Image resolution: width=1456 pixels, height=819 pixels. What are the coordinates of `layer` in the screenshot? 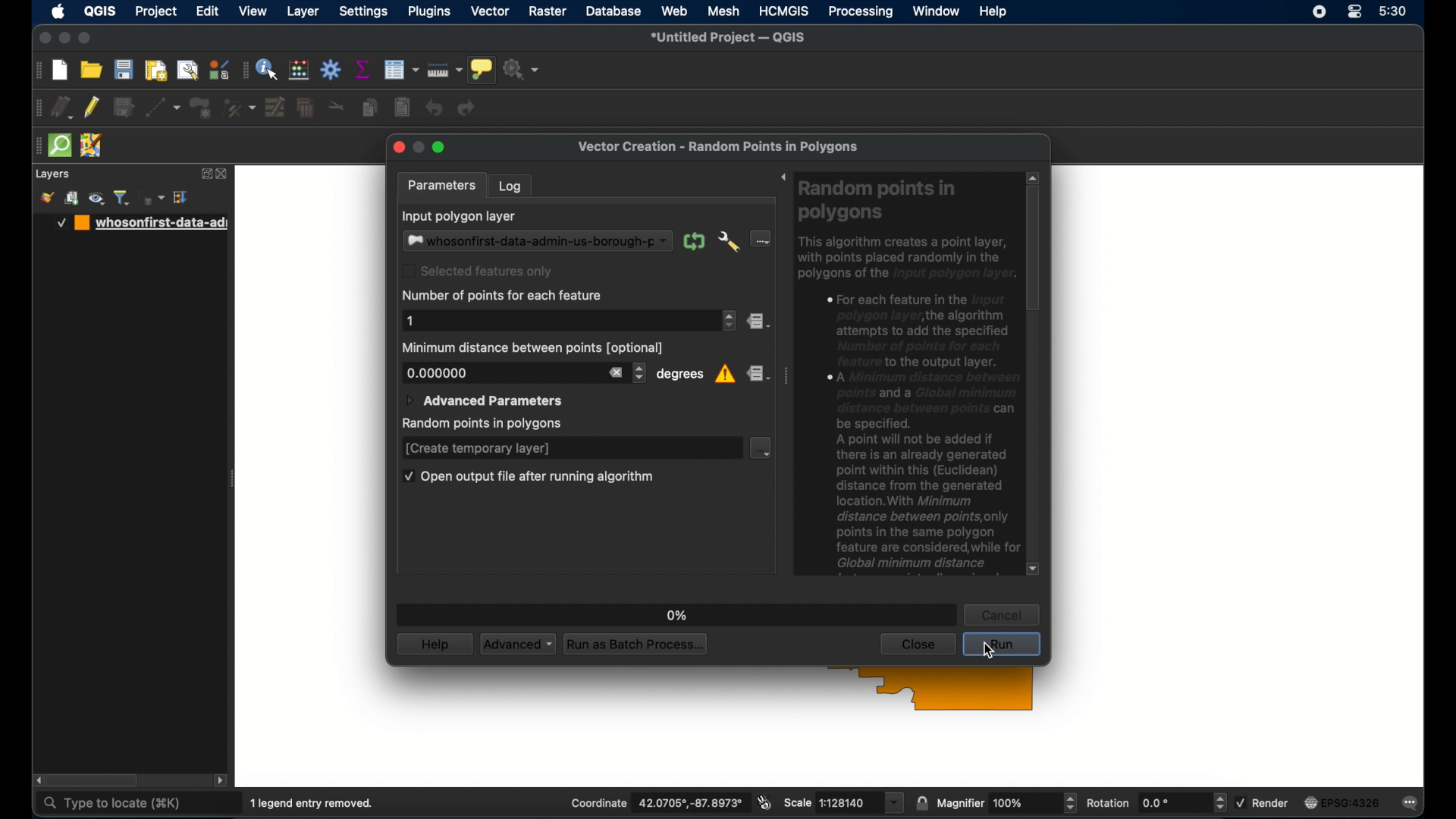 It's located at (303, 11).